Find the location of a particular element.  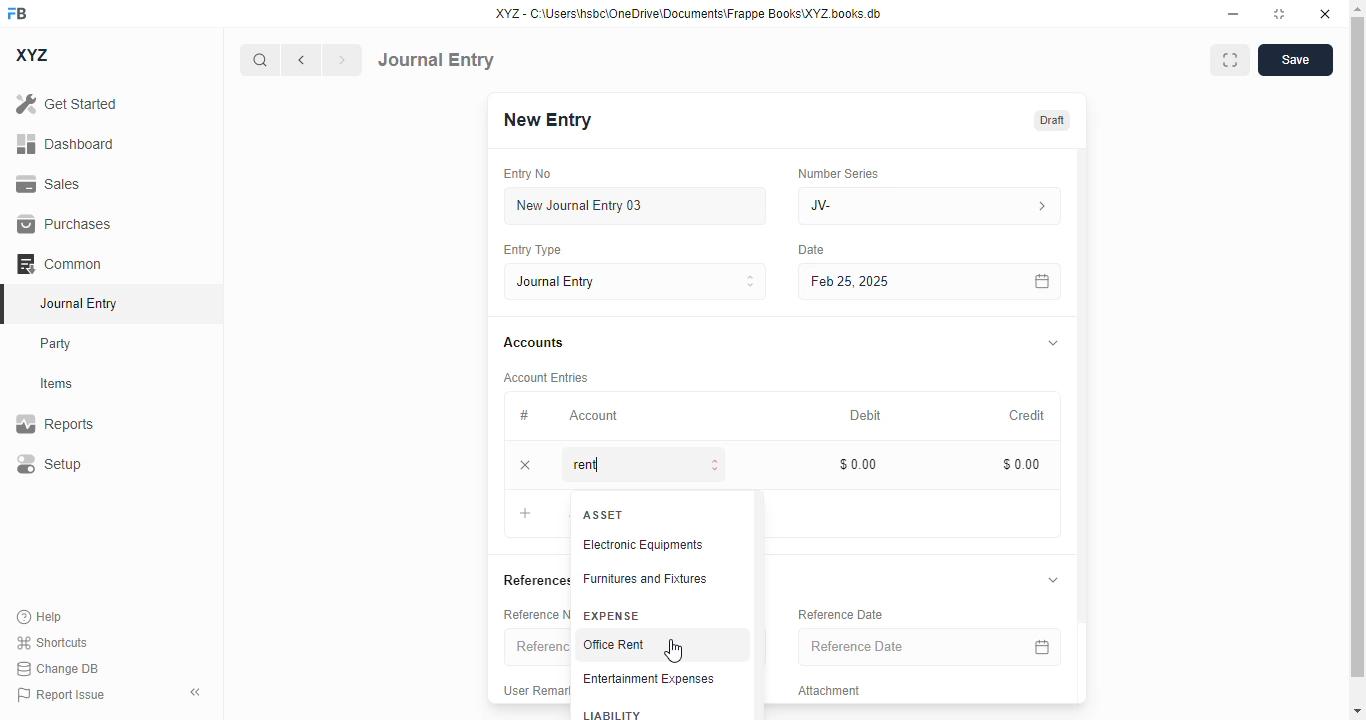

calendar icon is located at coordinates (1043, 281).